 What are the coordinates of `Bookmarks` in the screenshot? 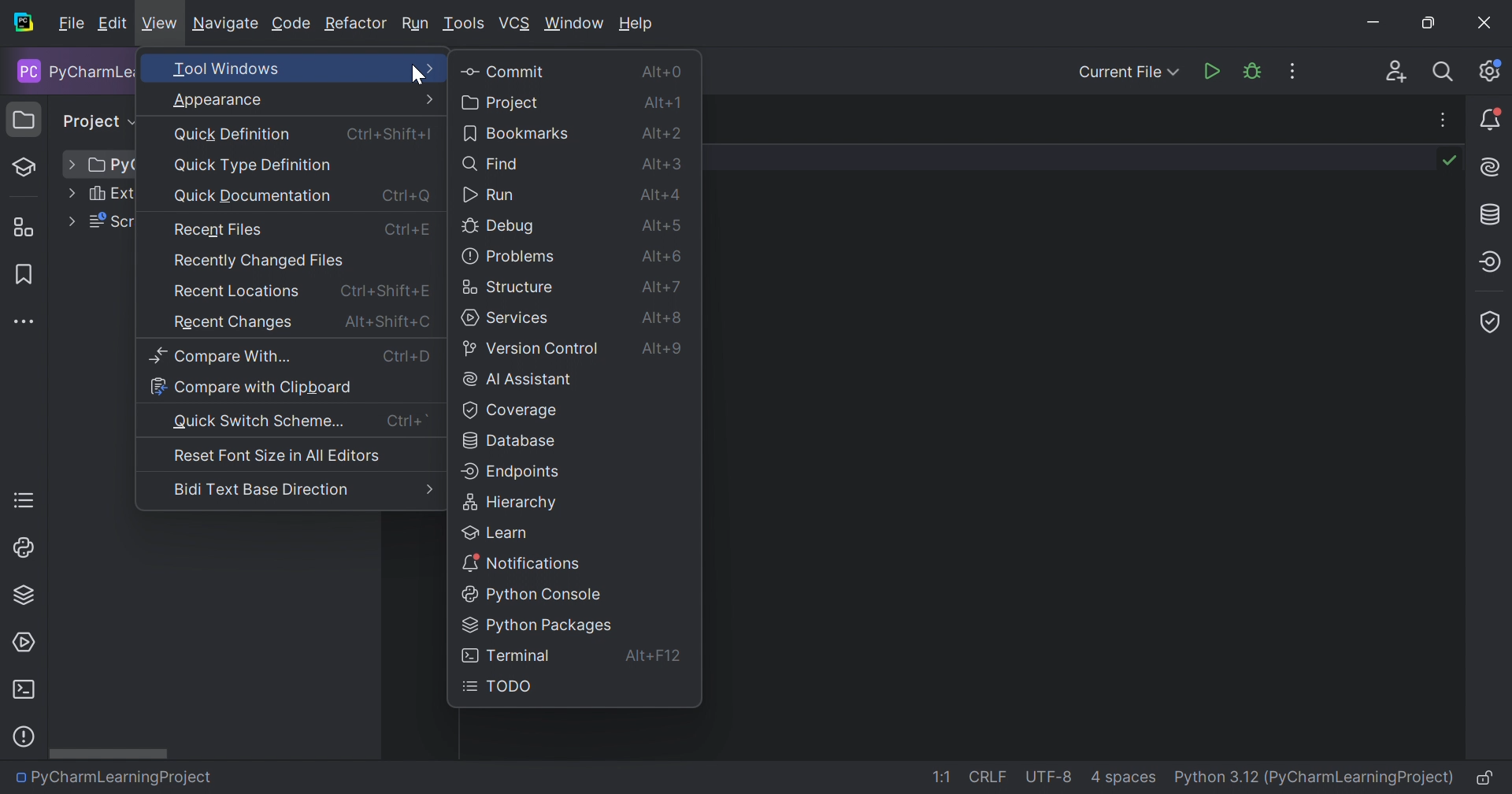 It's located at (515, 132).